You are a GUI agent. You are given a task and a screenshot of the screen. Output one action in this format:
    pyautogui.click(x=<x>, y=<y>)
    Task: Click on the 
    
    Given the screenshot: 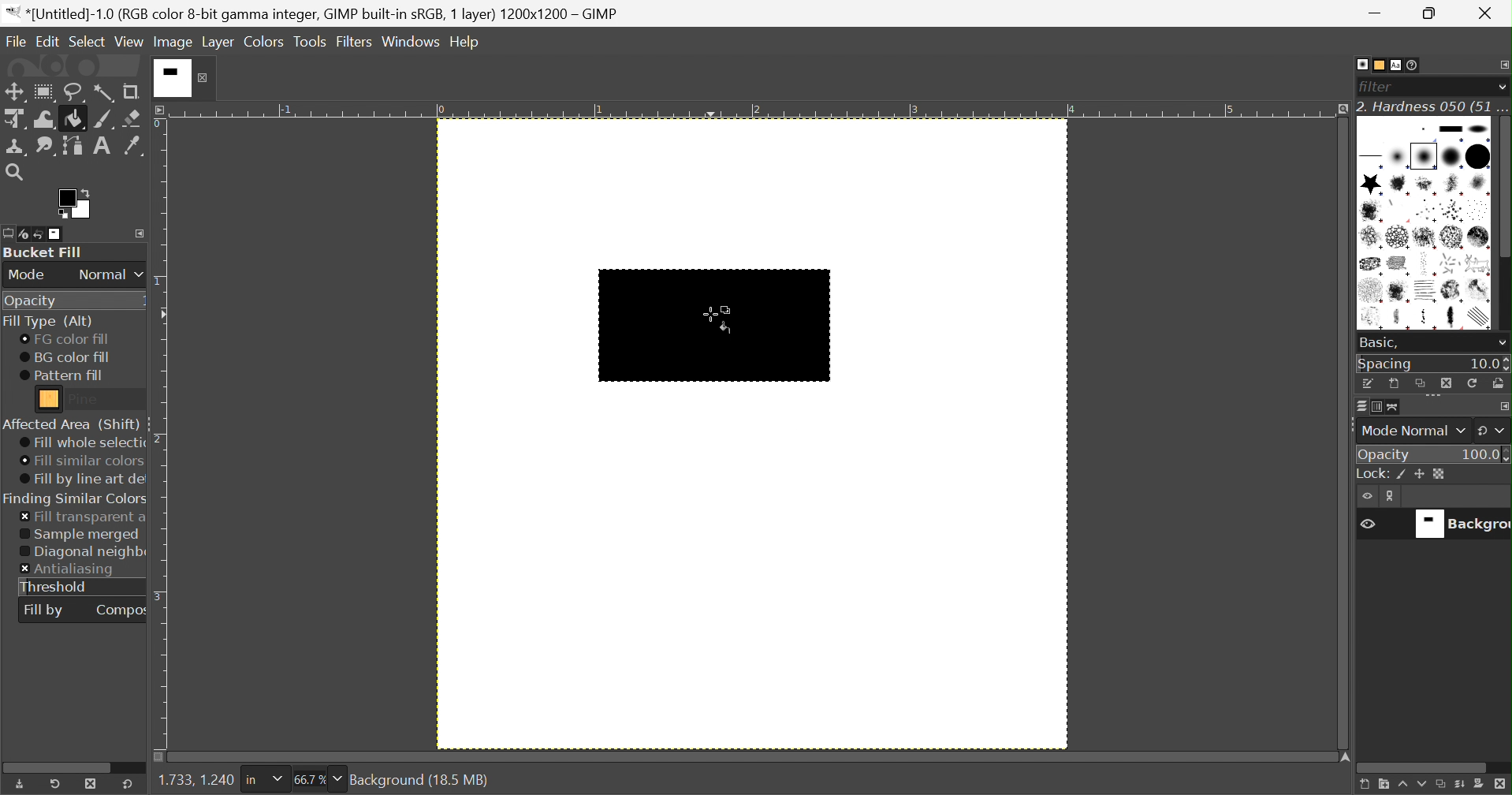 What is the action you would take?
    pyautogui.click(x=1451, y=129)
    